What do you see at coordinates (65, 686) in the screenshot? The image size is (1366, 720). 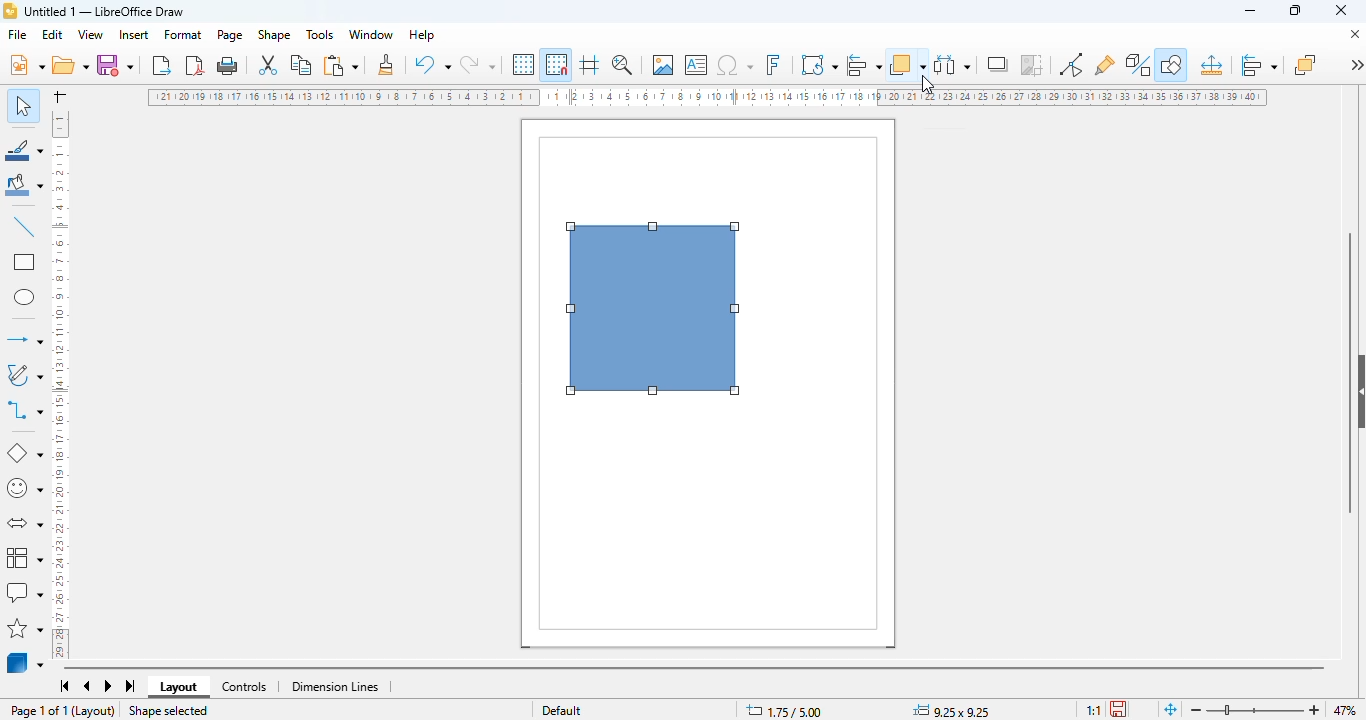 I see `scroll to first sheet` at bounding box center [65, 686].